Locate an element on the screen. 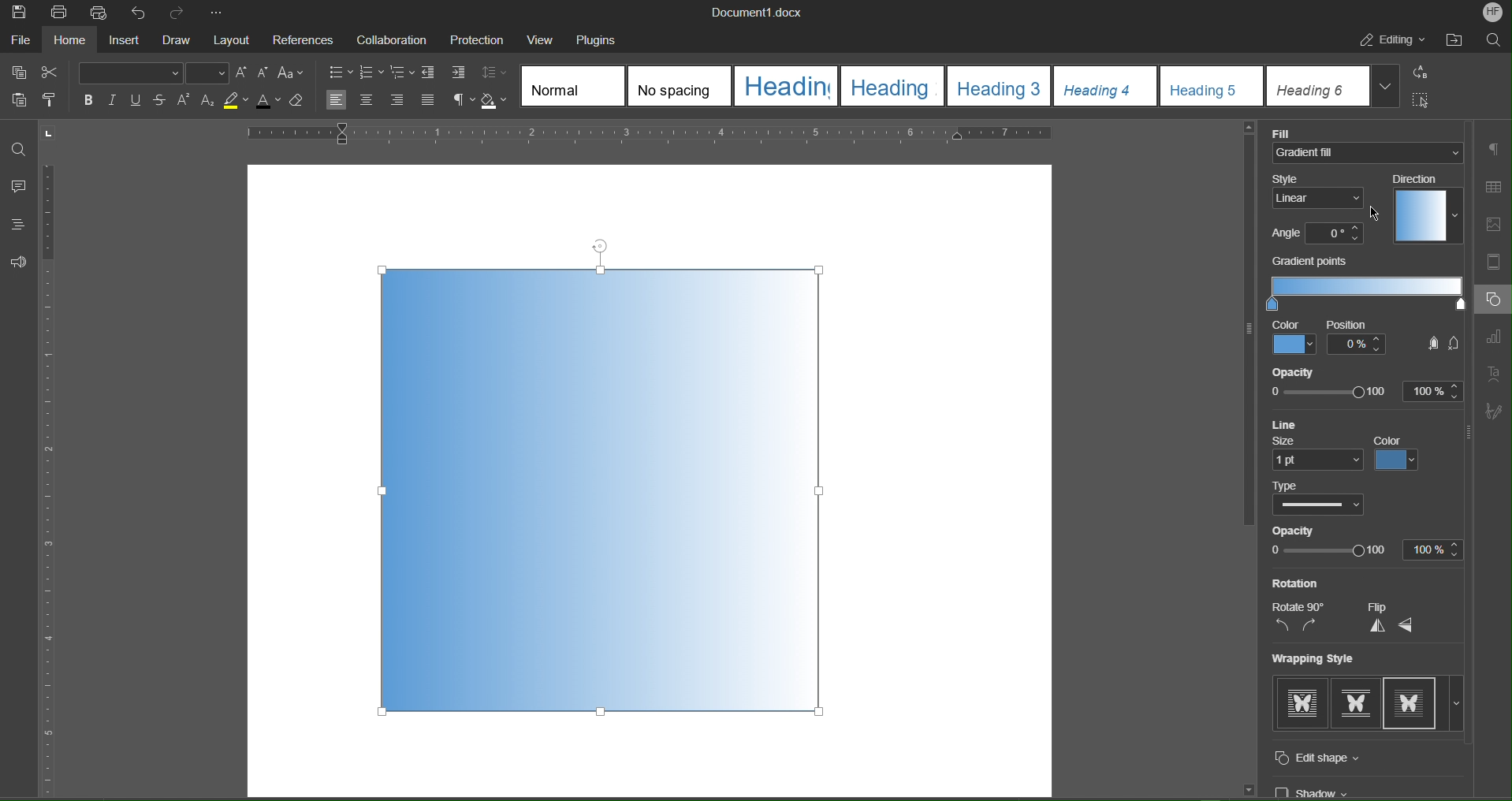 This screenshot has height=801, width=1512. Headings is located at coordinates (20, 225).